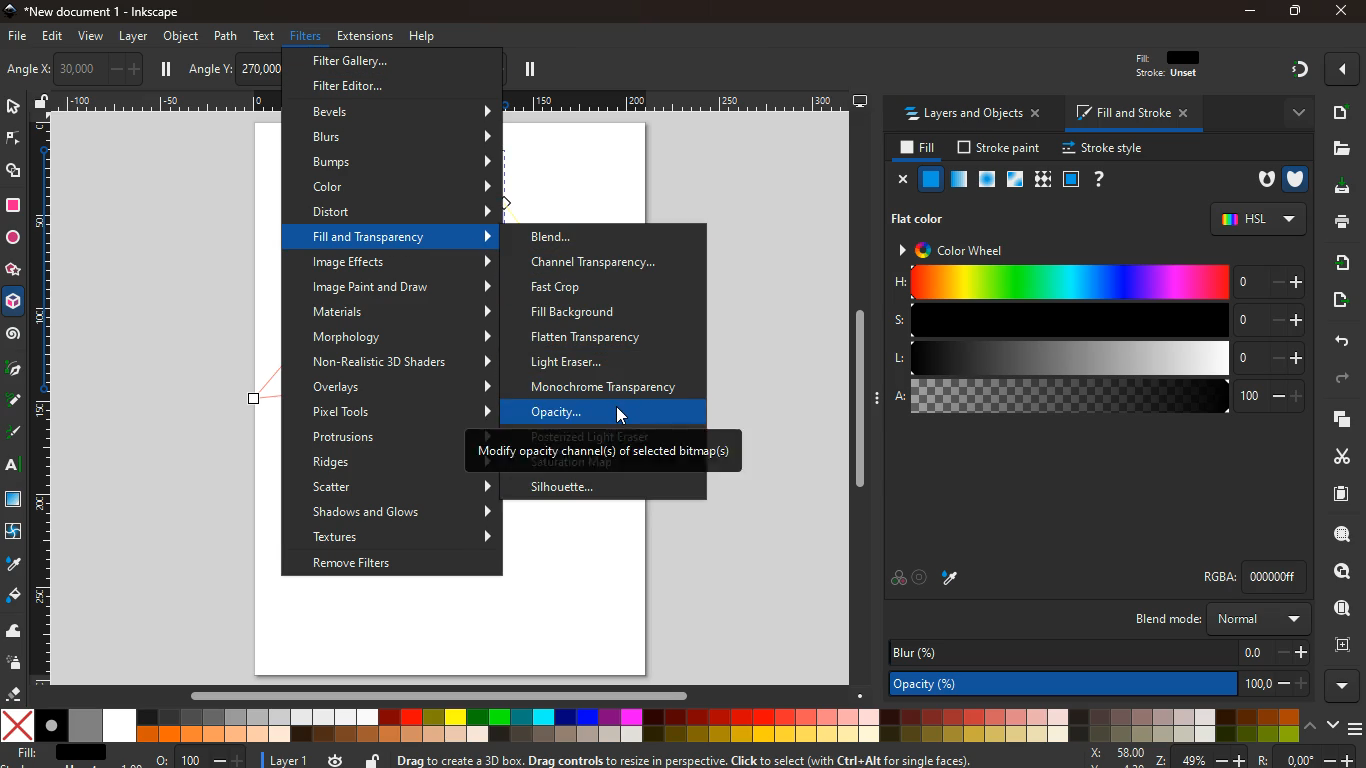  What do you see at coordinates (594, 287) in the screenshot?
I see `fast crop` at bounding box center [594, 287].